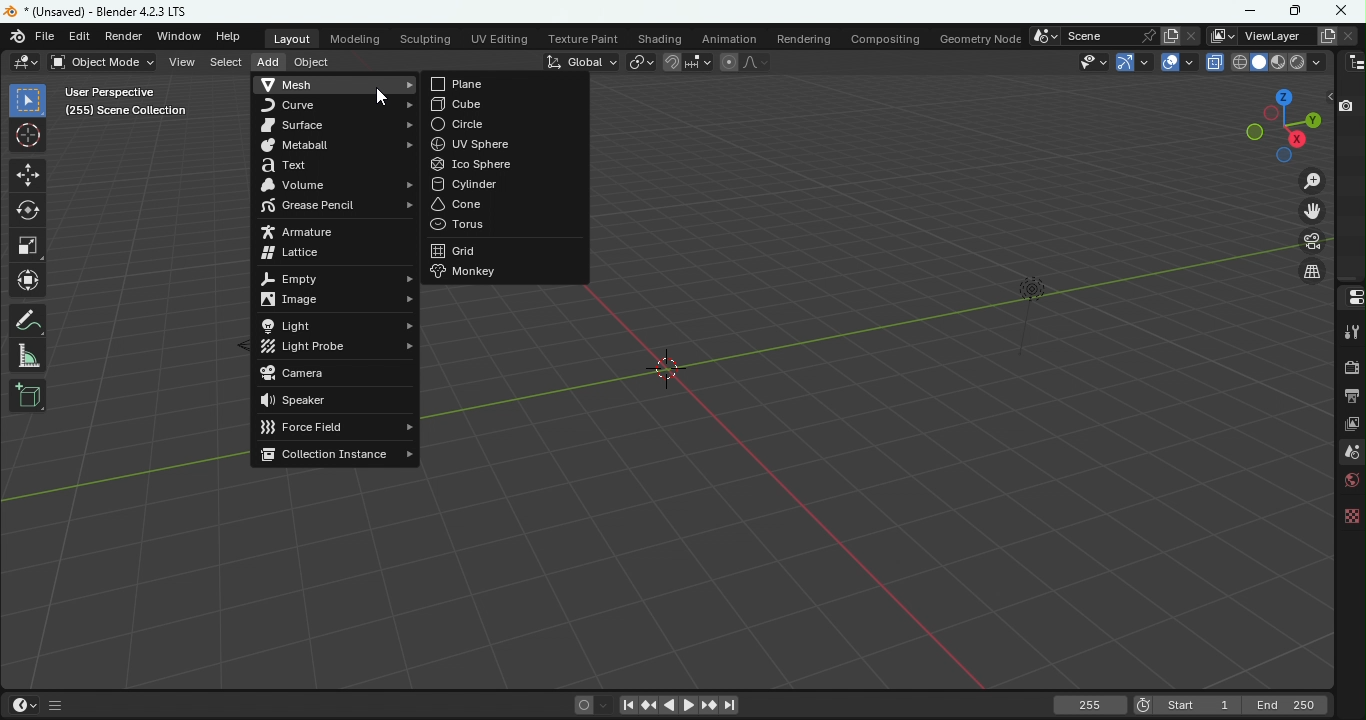  I want to click on Metaball, so click(339, 146).